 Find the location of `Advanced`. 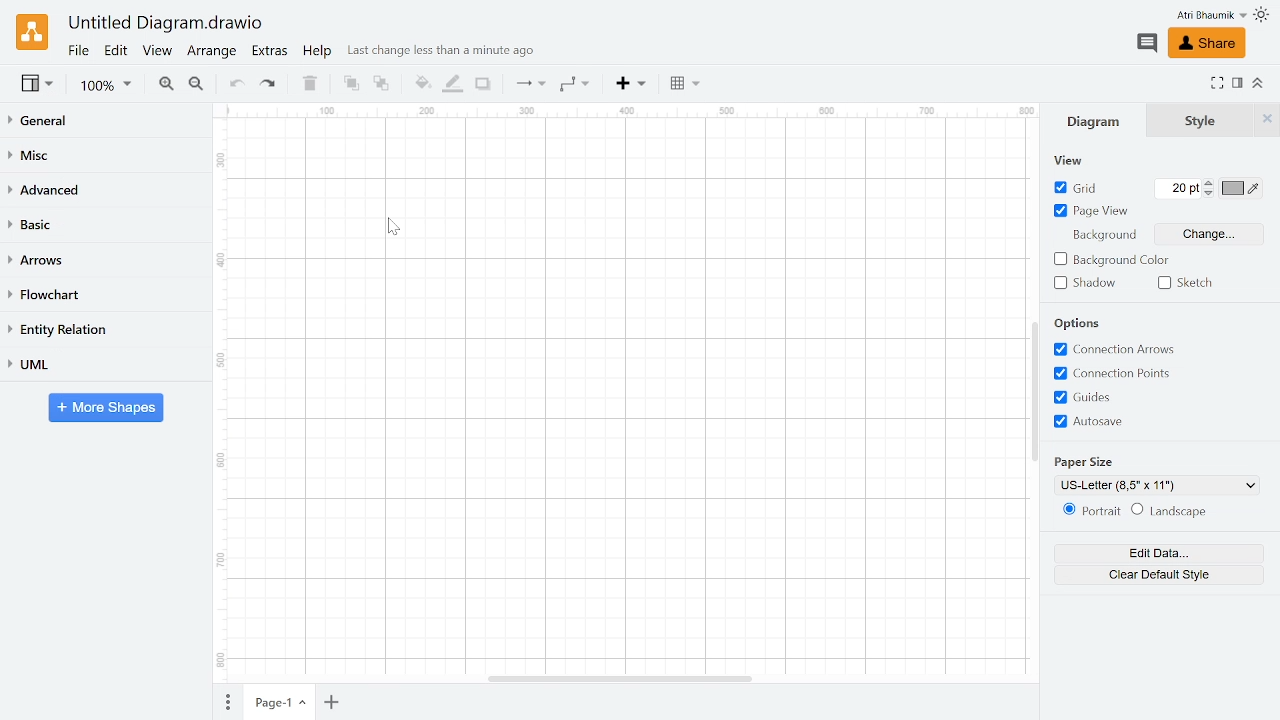

Advanced is located at coordinates (101, 190).